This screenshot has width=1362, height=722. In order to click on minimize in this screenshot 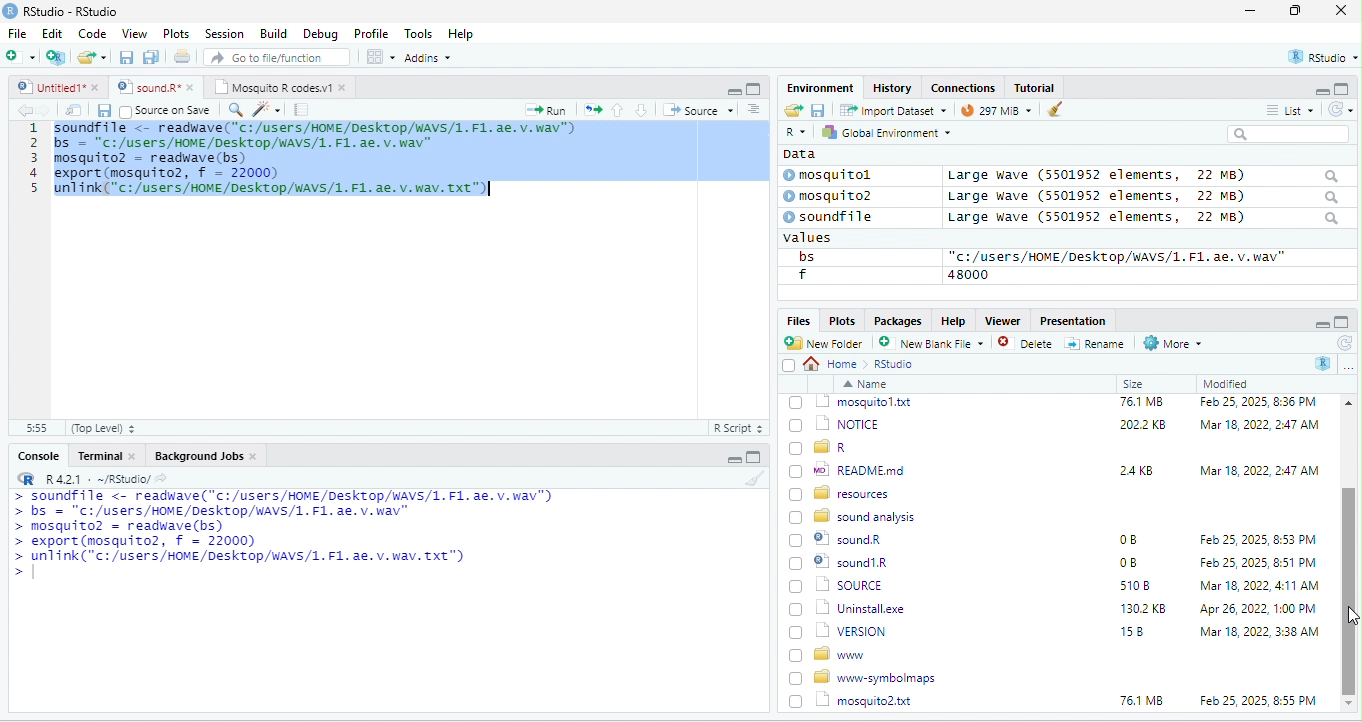, I will do `click(1314, 90)`.